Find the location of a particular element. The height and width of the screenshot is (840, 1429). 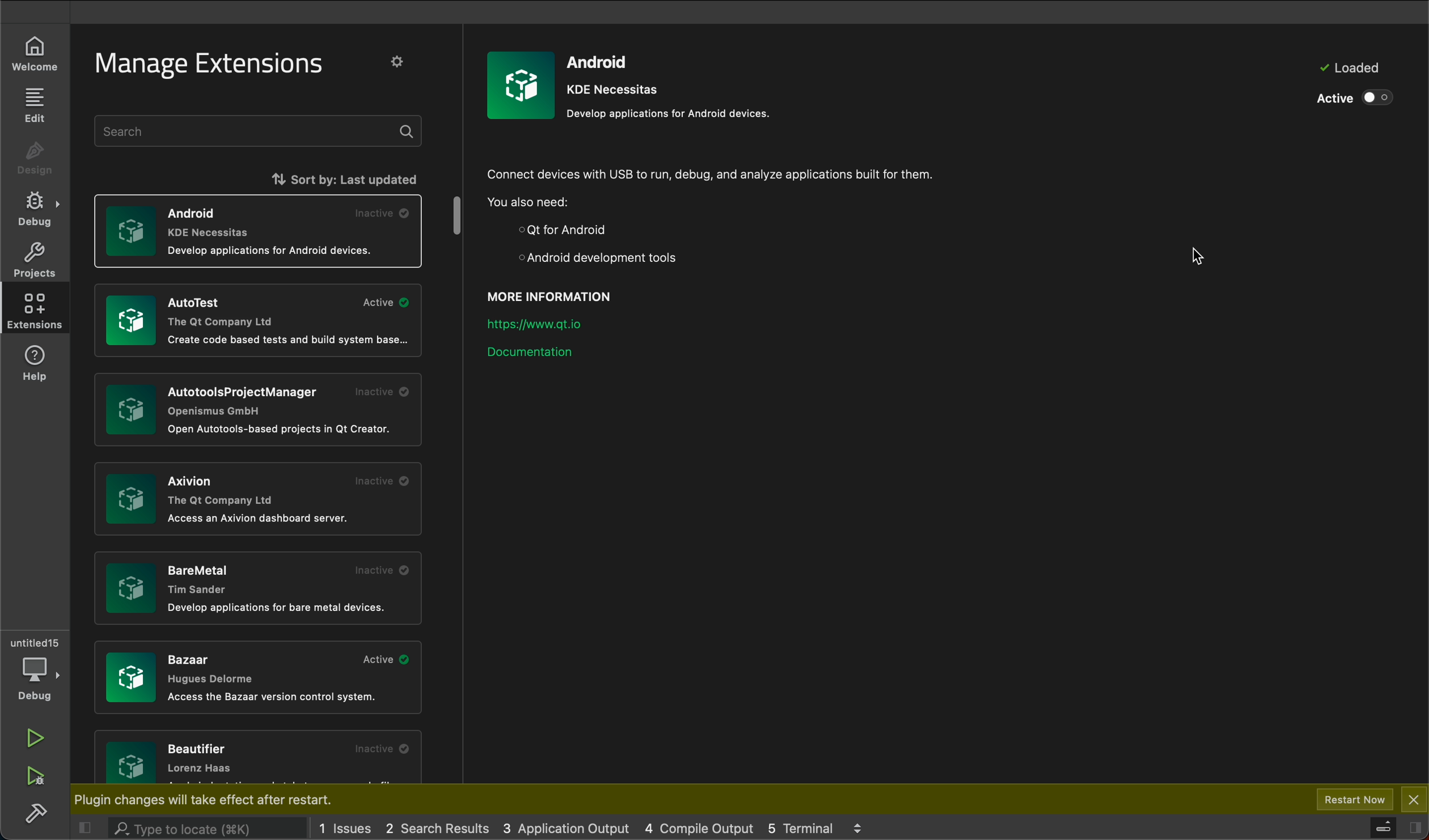

logs is located at coordinates (805, 827).